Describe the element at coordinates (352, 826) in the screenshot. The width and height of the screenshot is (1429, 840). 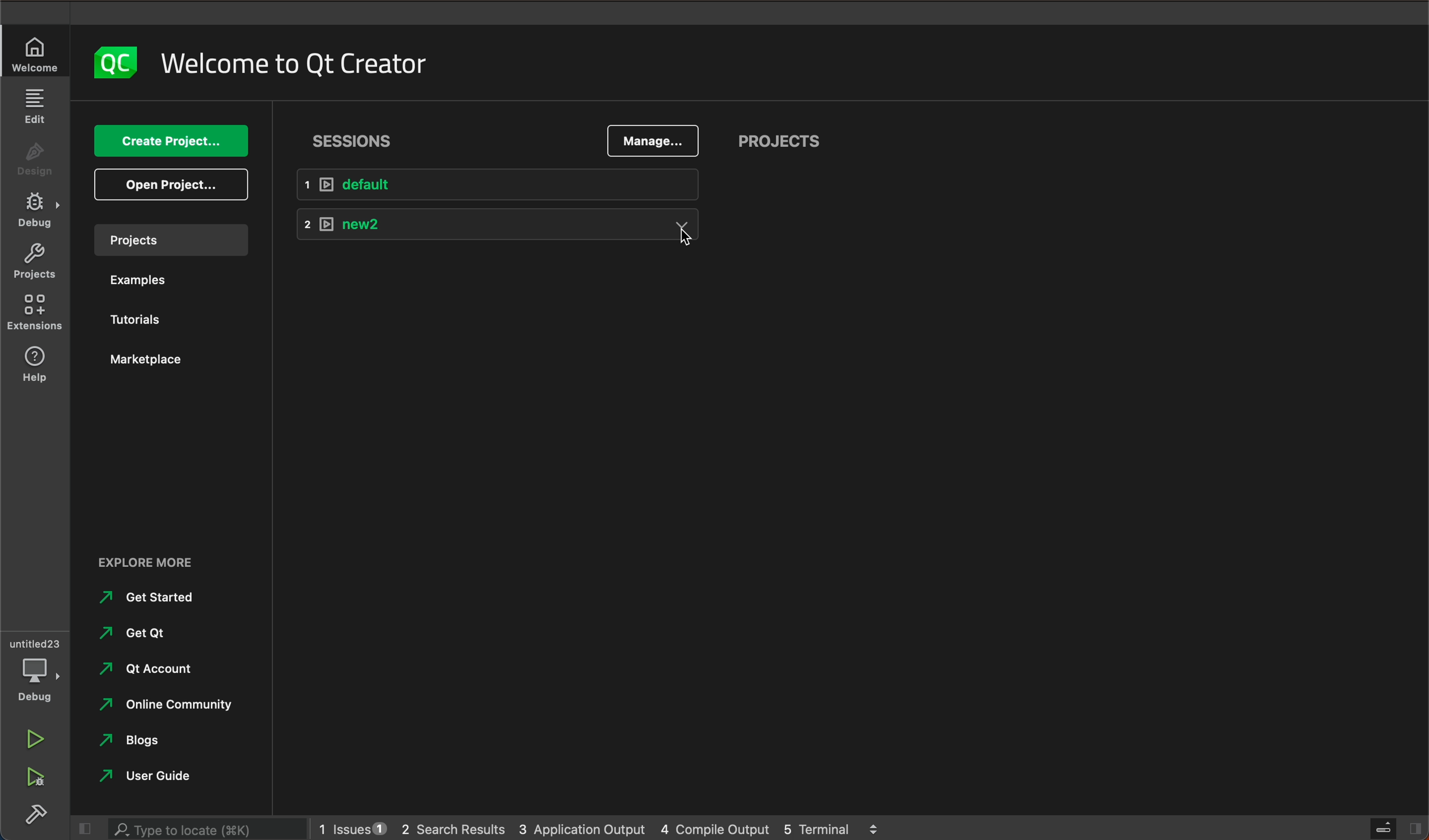
I see `issues` at that location.